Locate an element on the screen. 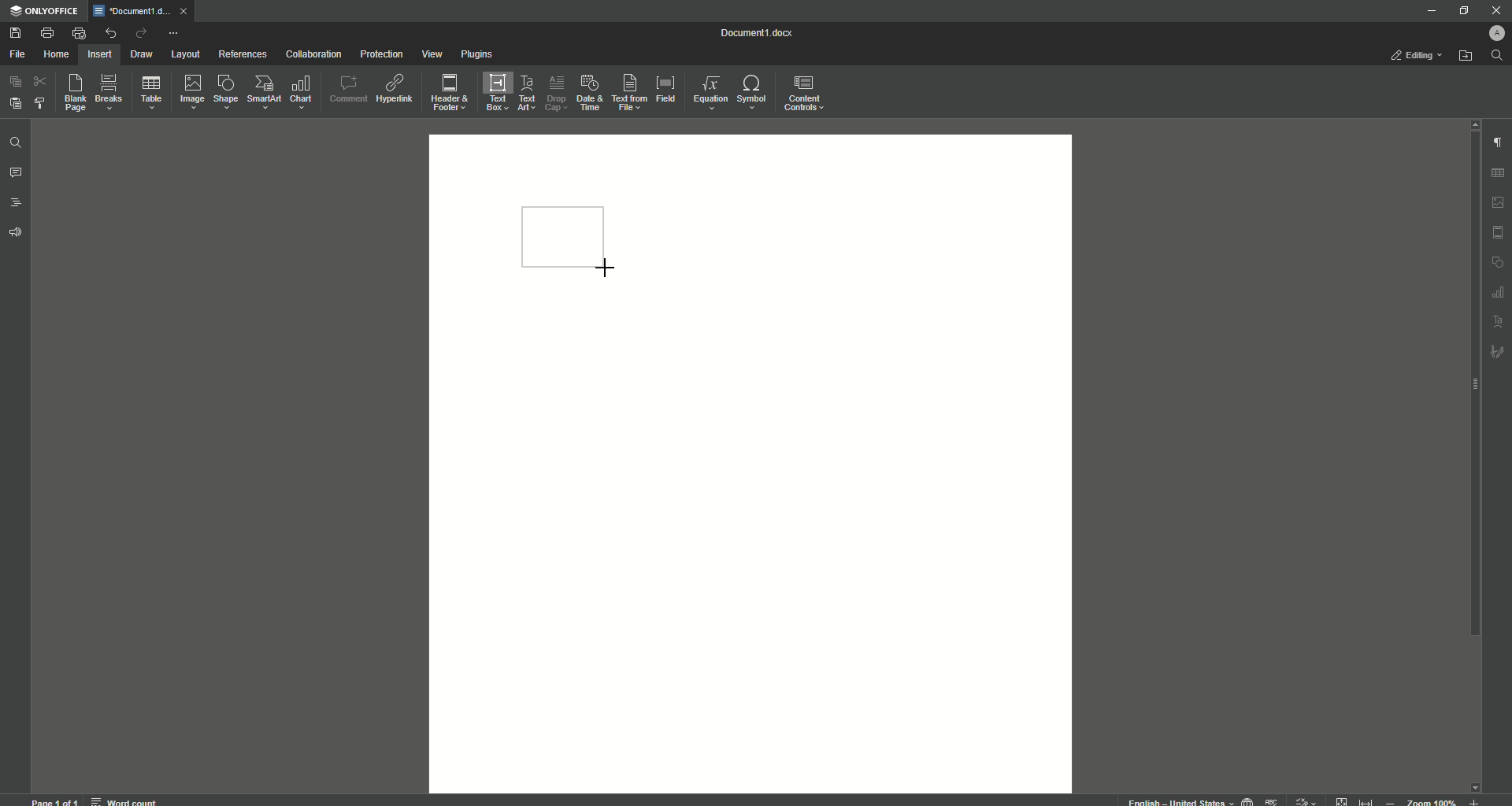 The height and width of the screenshot is (806, 1512). Comment is located at coordinates (348, 89).